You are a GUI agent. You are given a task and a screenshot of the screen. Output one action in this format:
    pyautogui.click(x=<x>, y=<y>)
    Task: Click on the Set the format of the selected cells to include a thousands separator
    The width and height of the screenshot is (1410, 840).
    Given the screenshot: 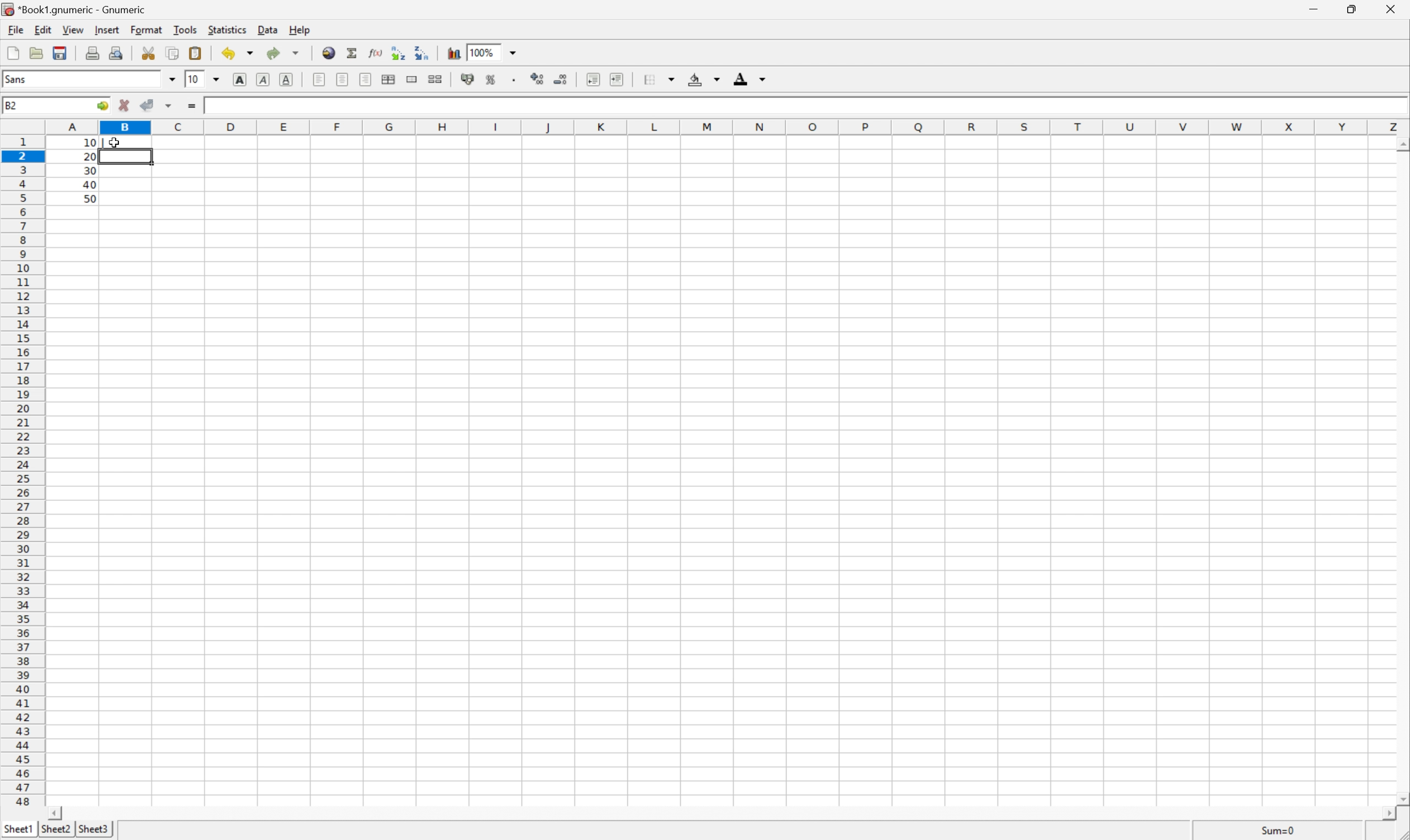 What is the action you would take?
    pyautogui.click(x=510, y=80)
    